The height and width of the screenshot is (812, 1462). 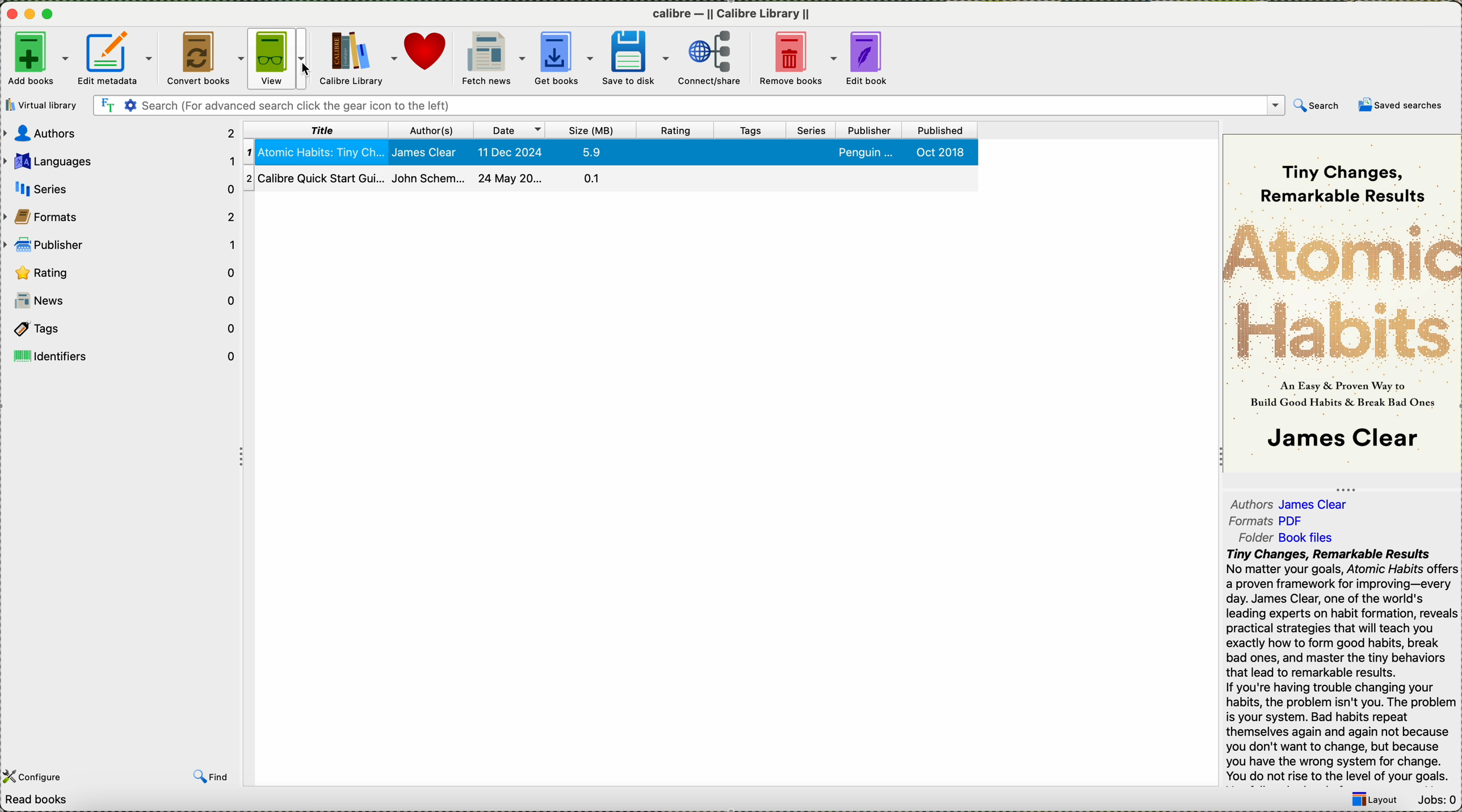 I want to click on remove books, so click(x=799, y=60).